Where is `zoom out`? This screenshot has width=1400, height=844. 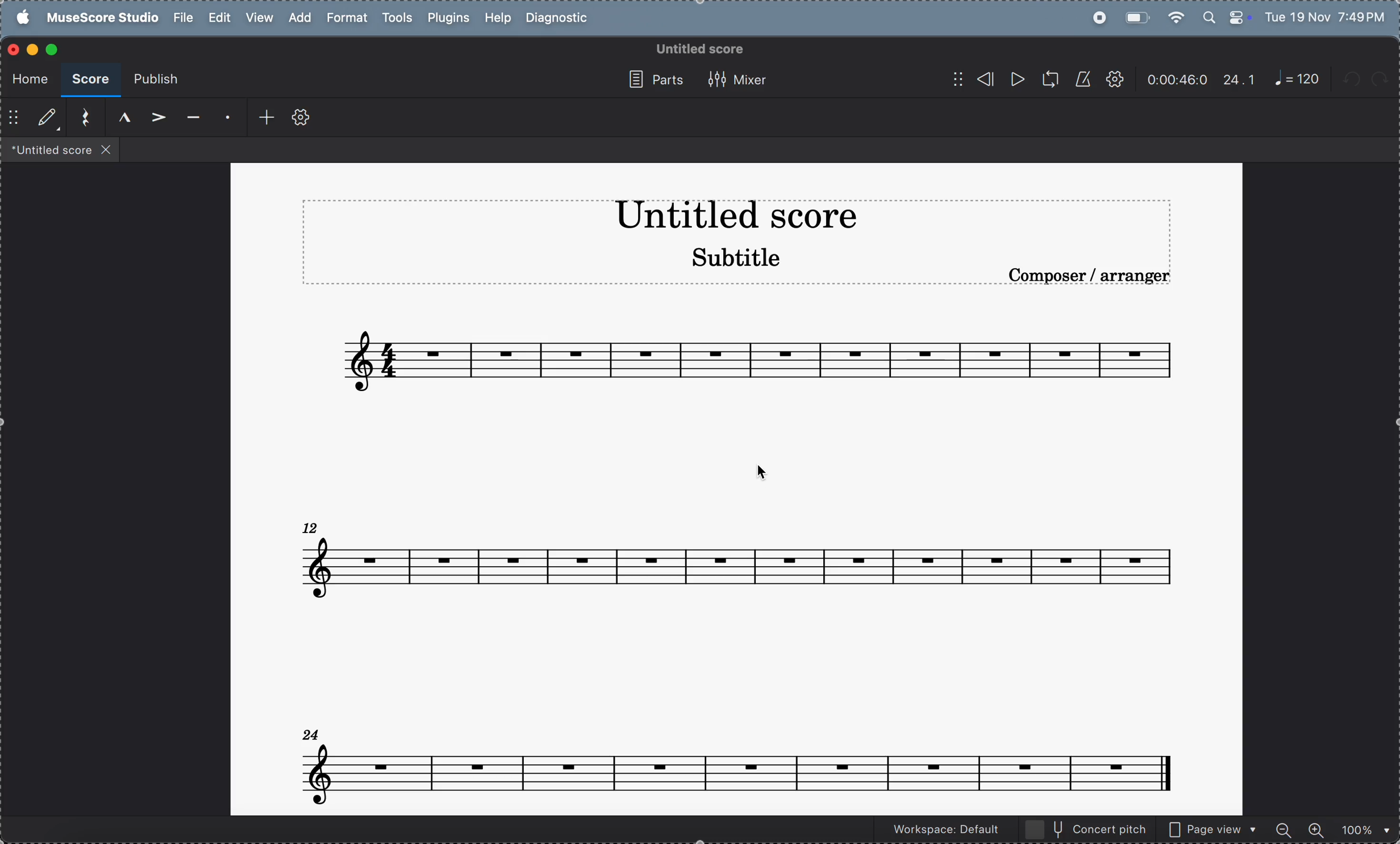 zoom out is located at coordinates (1285, 828).